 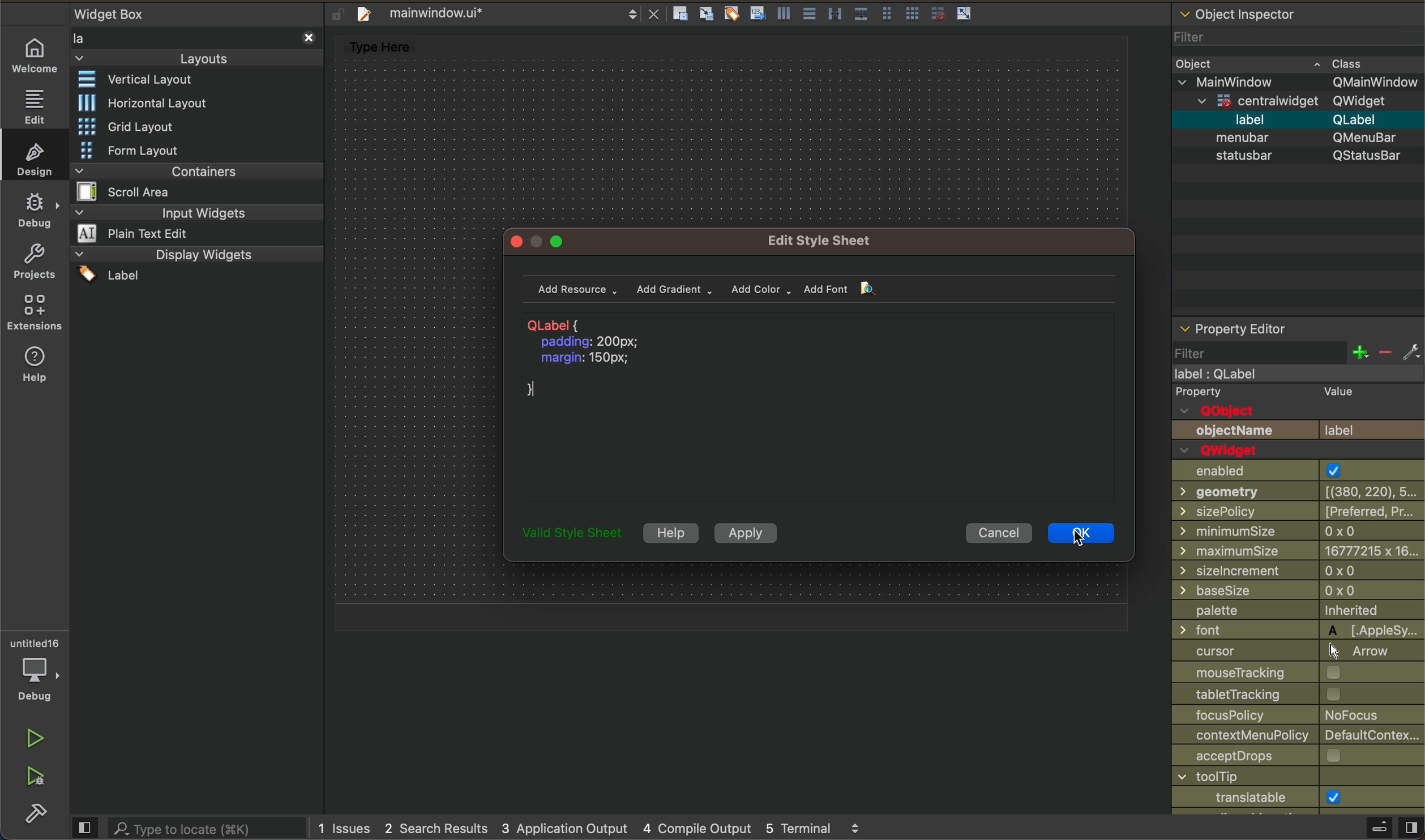 I want to click on qwidget, so click(x=1294, y=102).